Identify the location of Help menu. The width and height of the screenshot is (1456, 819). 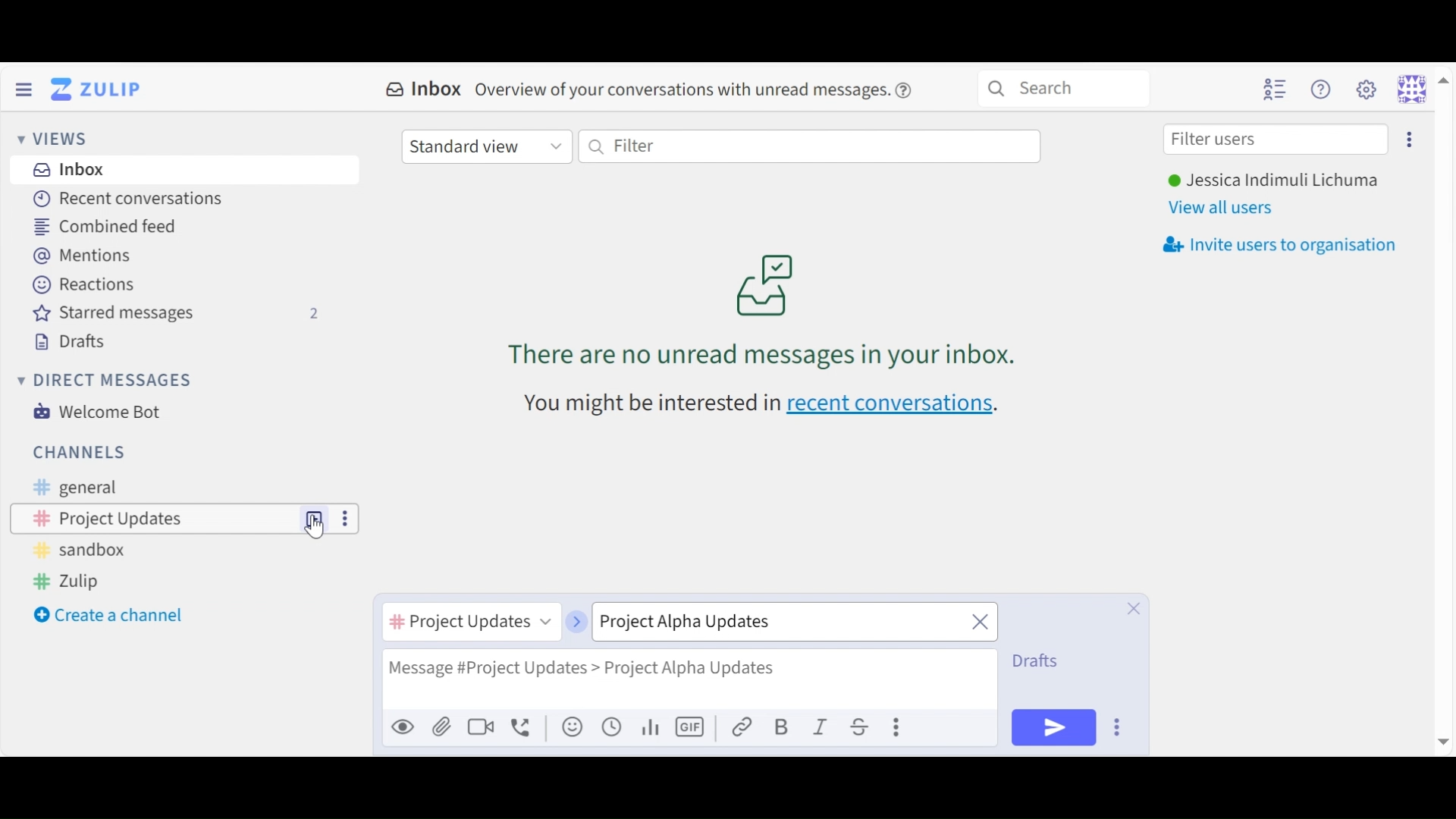
(1323, 89).